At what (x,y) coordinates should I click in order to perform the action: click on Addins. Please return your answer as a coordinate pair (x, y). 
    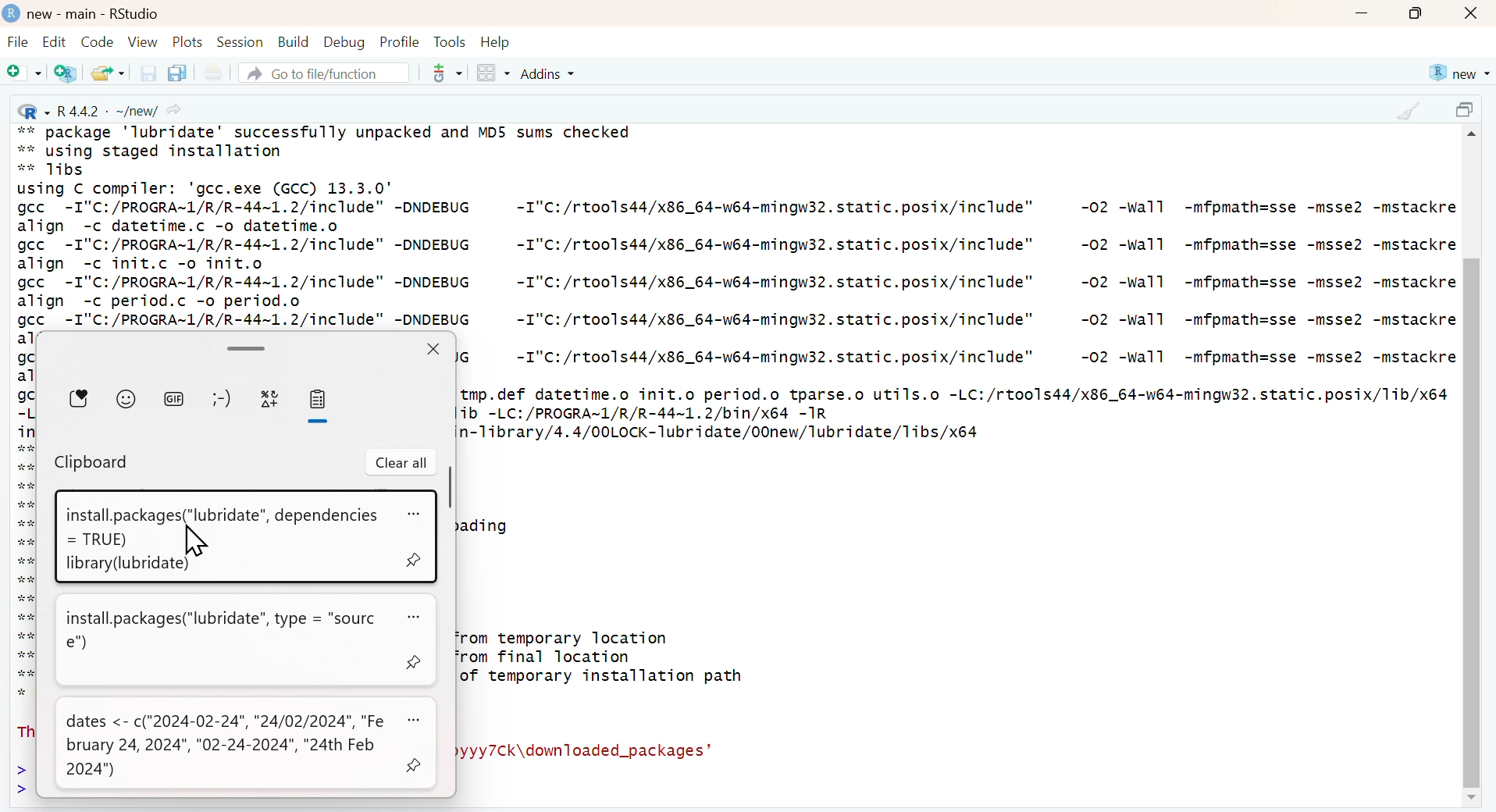
    Looking at the image, I should click on (550, 73).